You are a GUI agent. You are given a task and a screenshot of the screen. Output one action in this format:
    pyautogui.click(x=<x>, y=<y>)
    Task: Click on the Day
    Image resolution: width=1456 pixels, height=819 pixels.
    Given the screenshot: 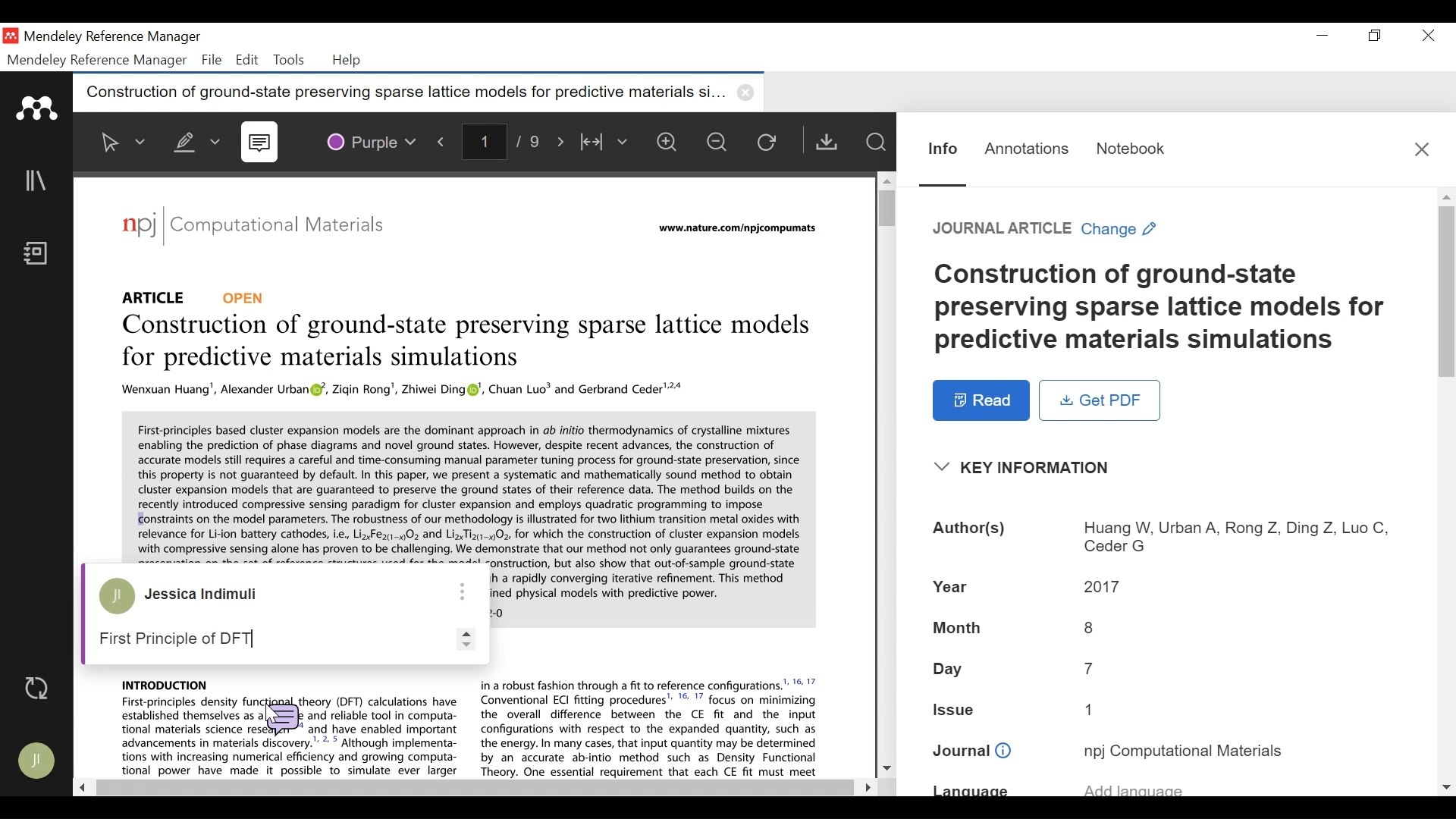 What is the action you would take?
    pyautogui.click(x=1166, y=671)
    